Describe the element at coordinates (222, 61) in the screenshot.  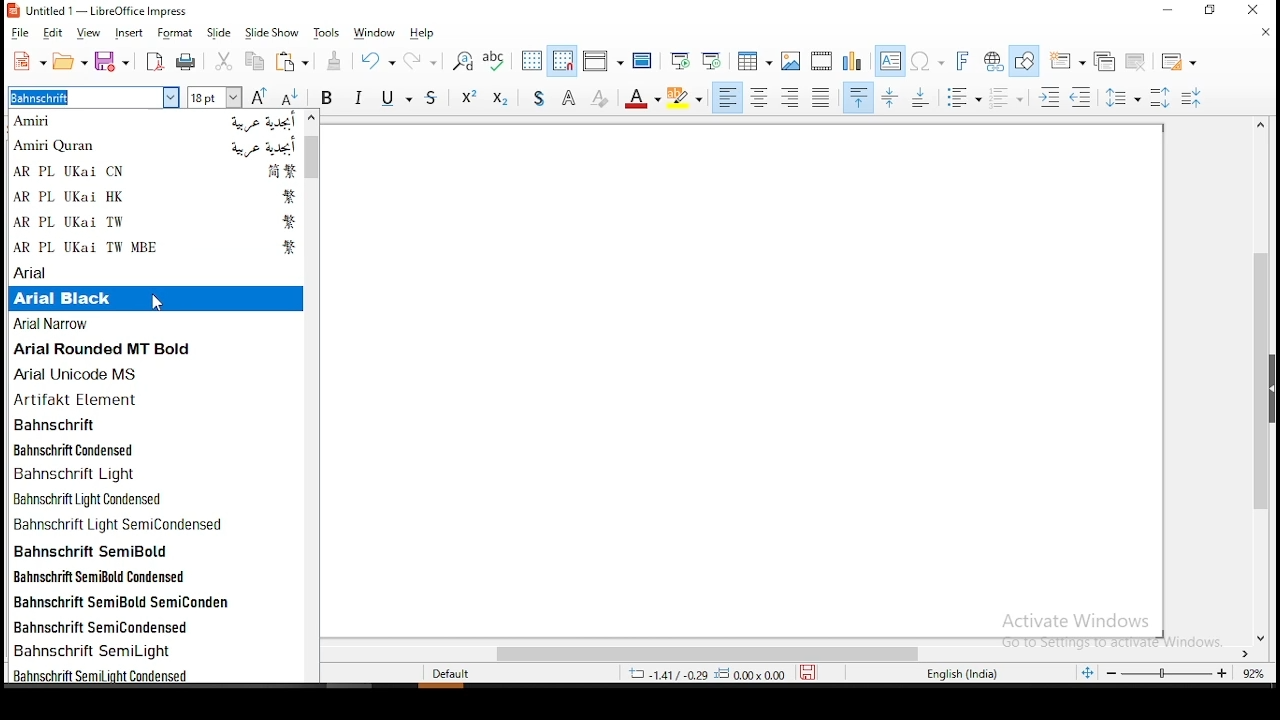
I see `cut` at that location.